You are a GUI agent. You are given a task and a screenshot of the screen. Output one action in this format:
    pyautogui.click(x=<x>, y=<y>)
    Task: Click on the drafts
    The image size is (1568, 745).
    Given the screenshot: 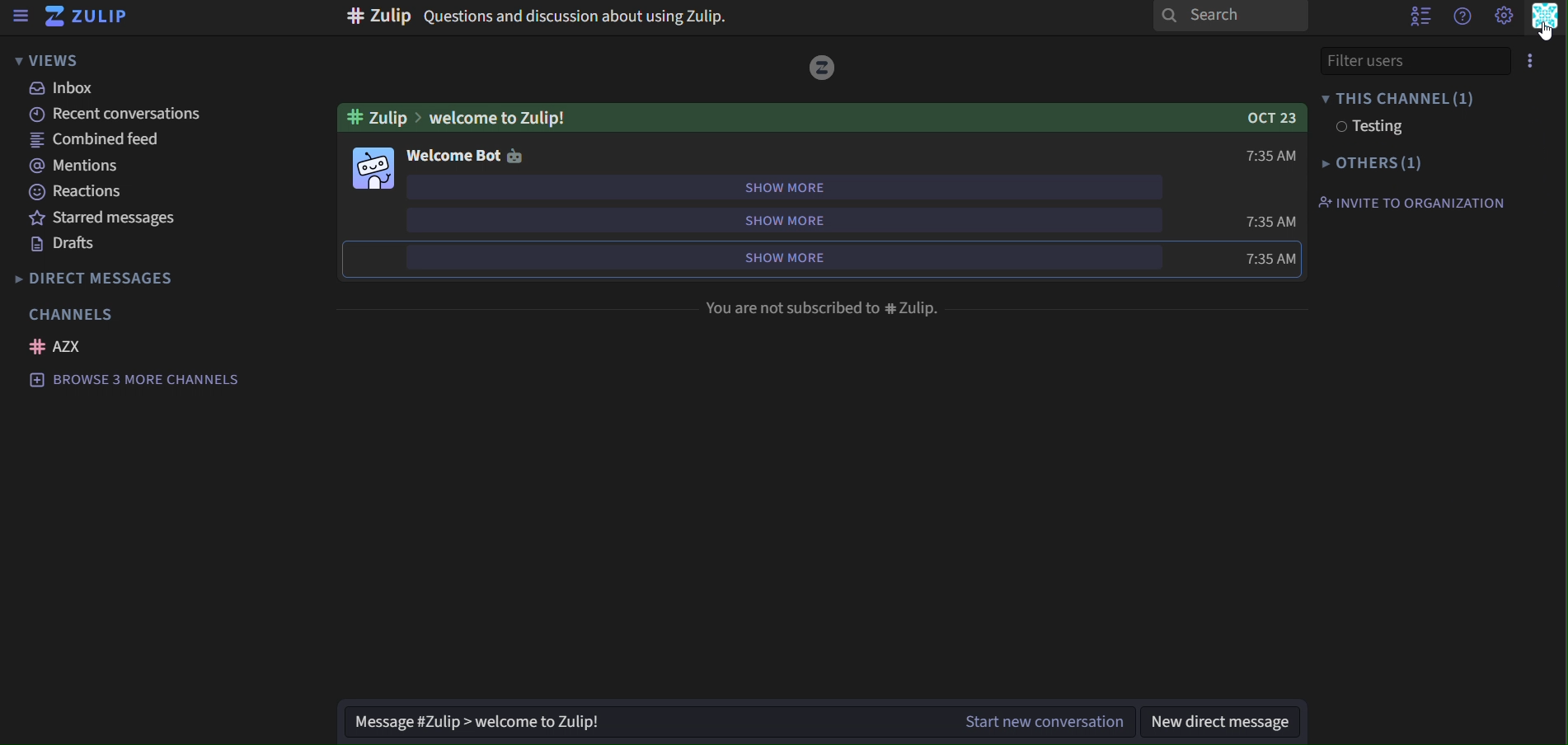 What is the action you would take?
    pyautogui.click(x=61, y=244)
    